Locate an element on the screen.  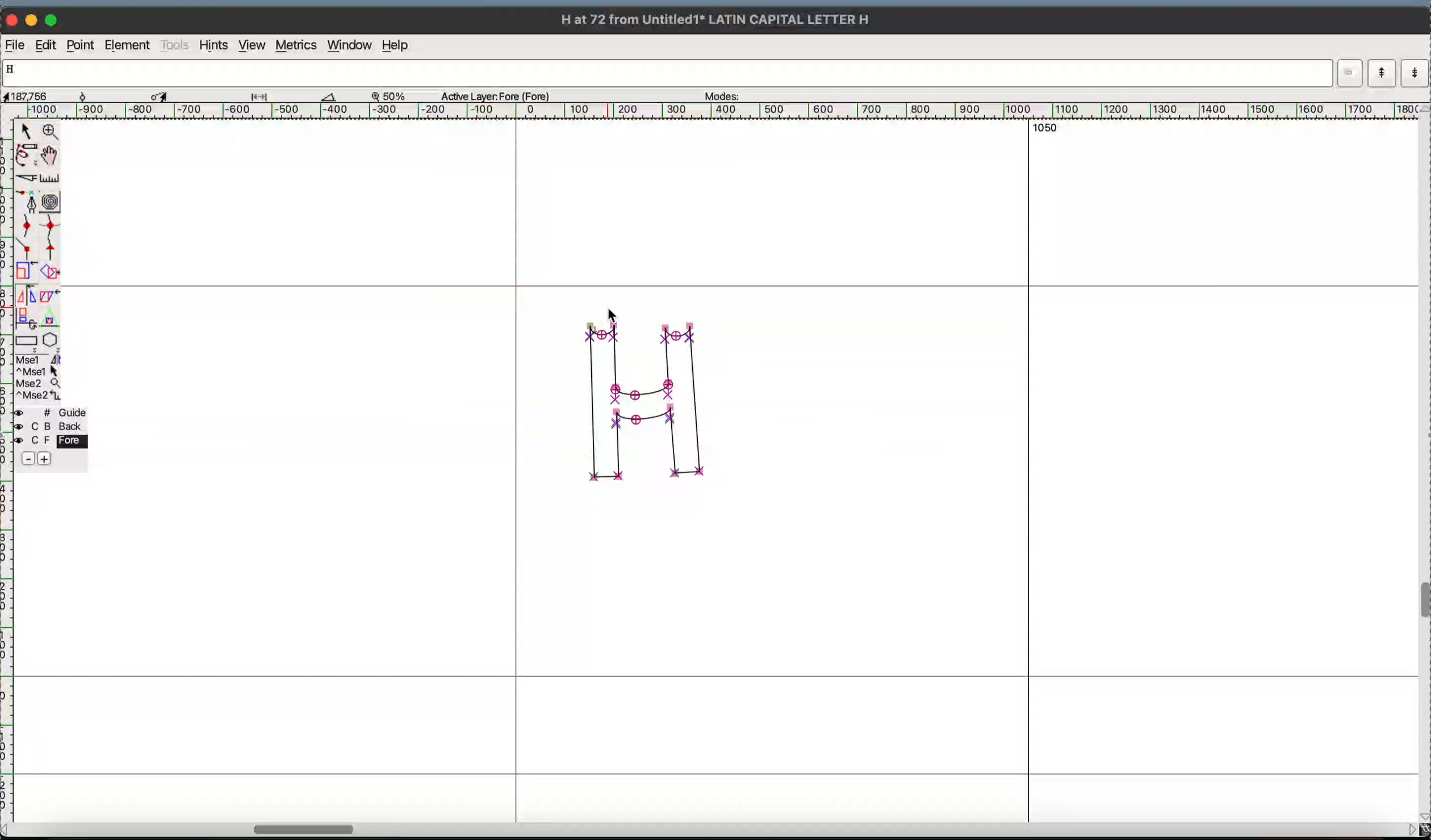
layer palette is located at coordinates (52, 436).